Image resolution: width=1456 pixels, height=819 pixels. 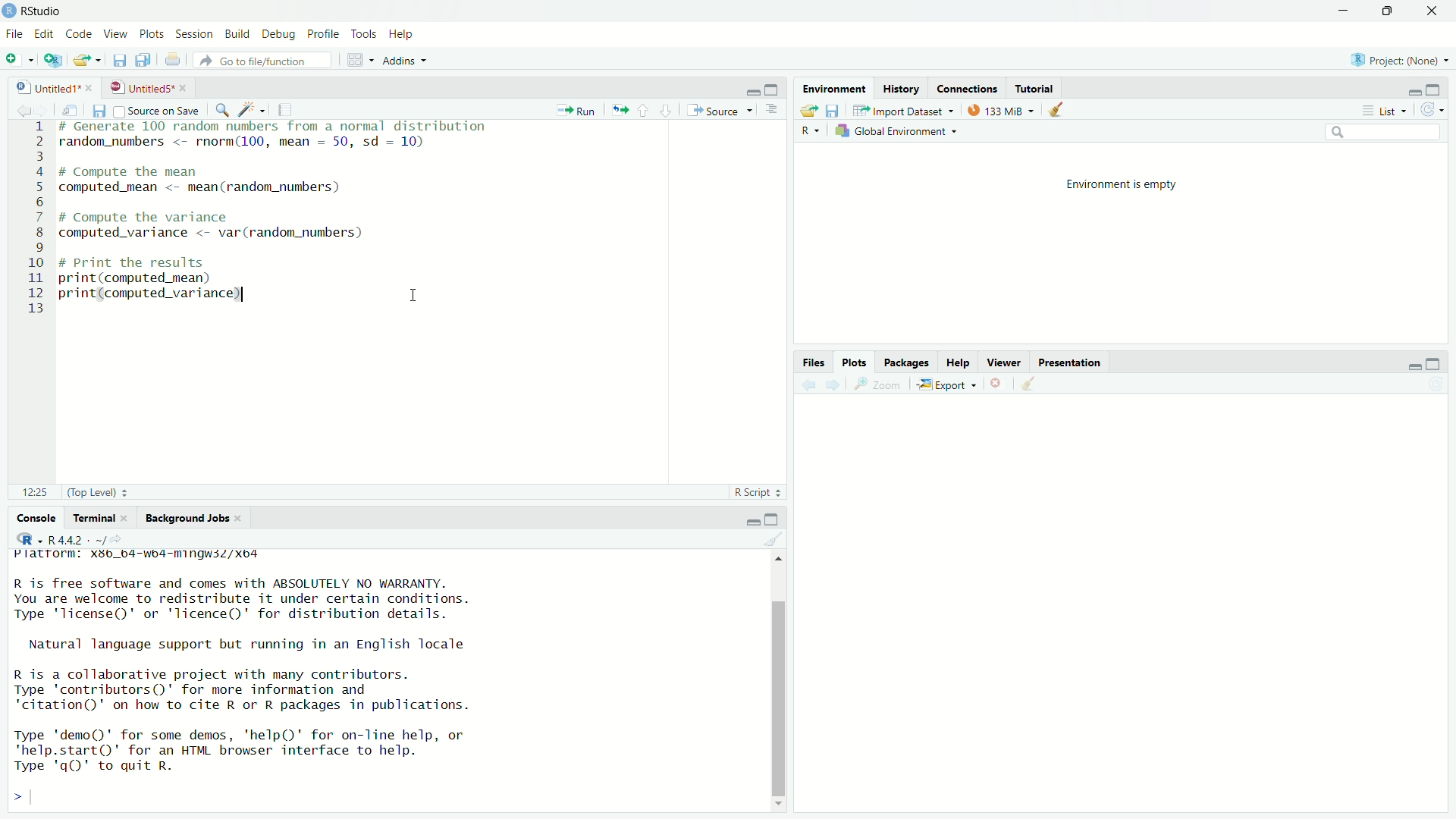 I want to click on cursor, so click(x=417, y=293).